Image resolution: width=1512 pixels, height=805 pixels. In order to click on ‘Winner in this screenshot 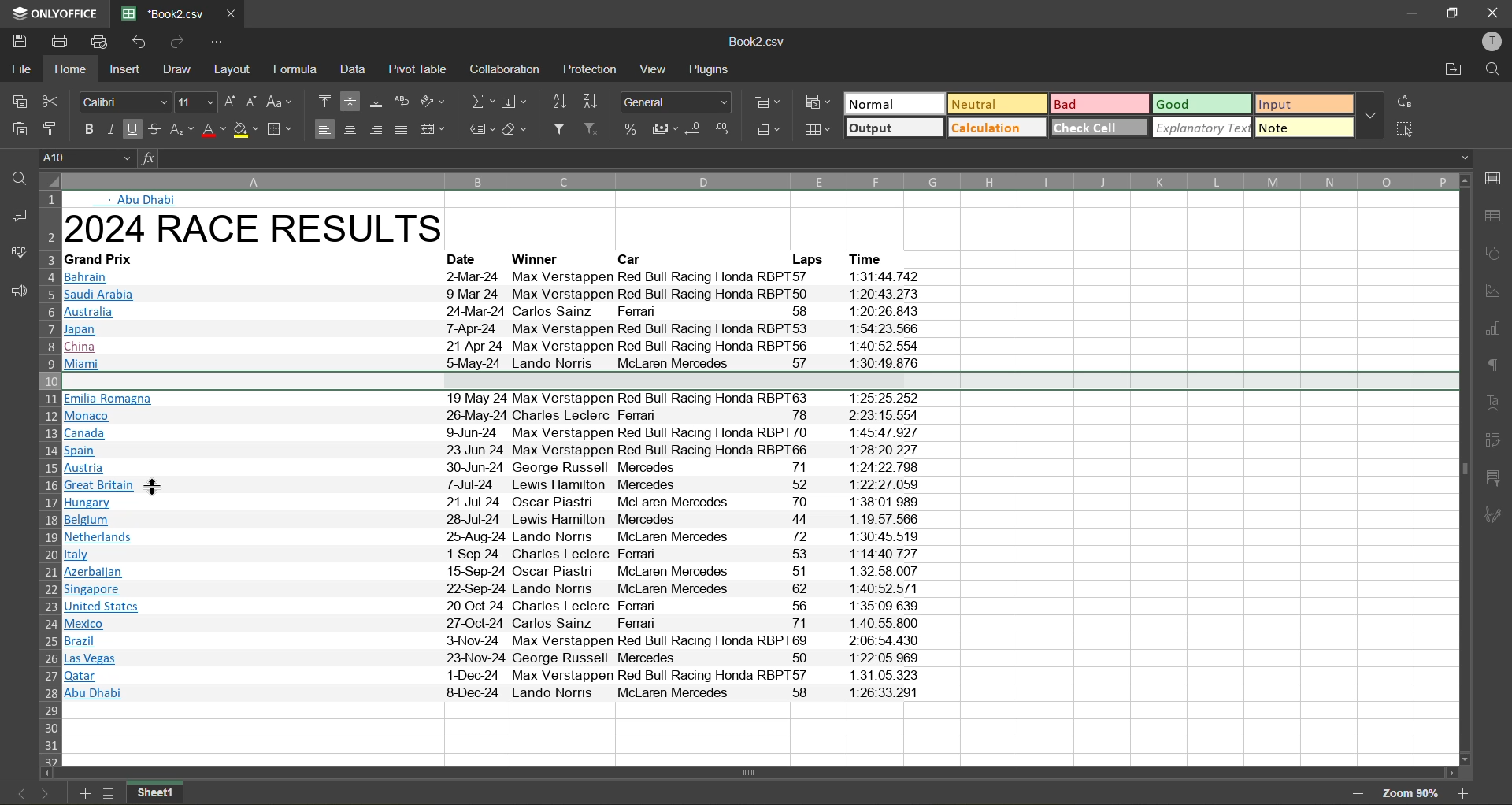, I will do `click(535, 258)`.